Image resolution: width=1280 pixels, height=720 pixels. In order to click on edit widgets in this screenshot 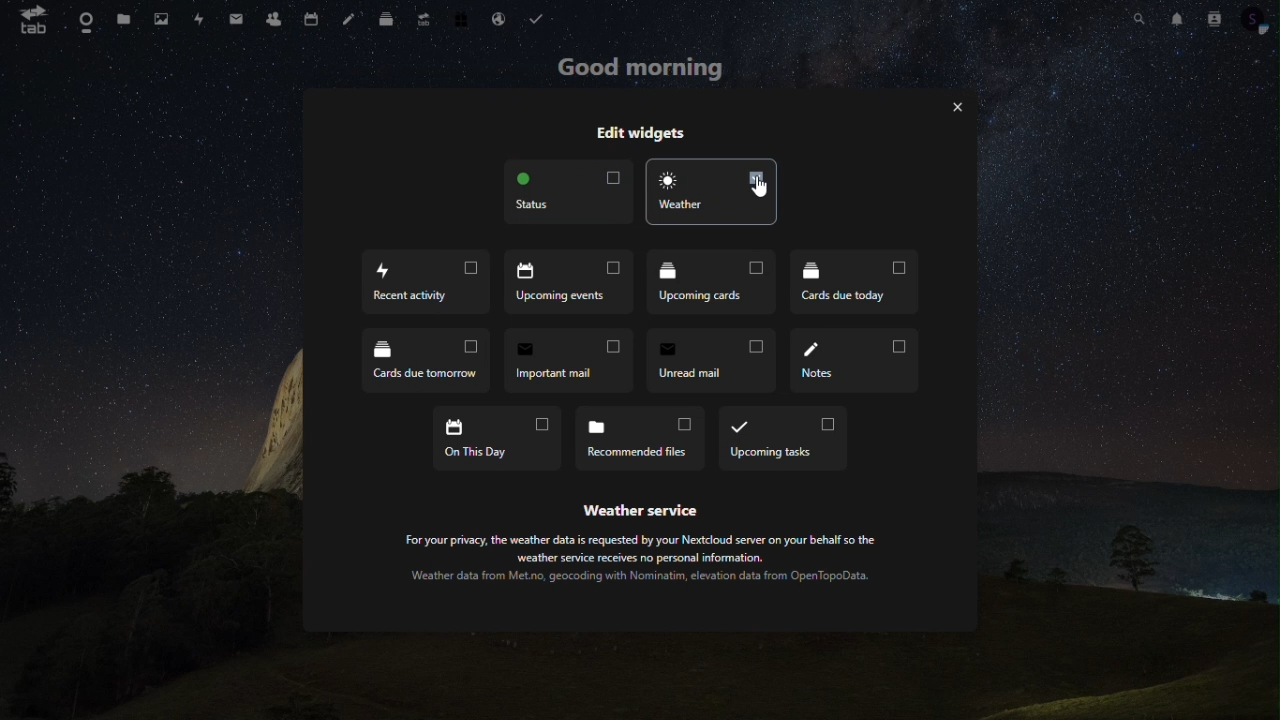, I will do `click(657, 129)`.